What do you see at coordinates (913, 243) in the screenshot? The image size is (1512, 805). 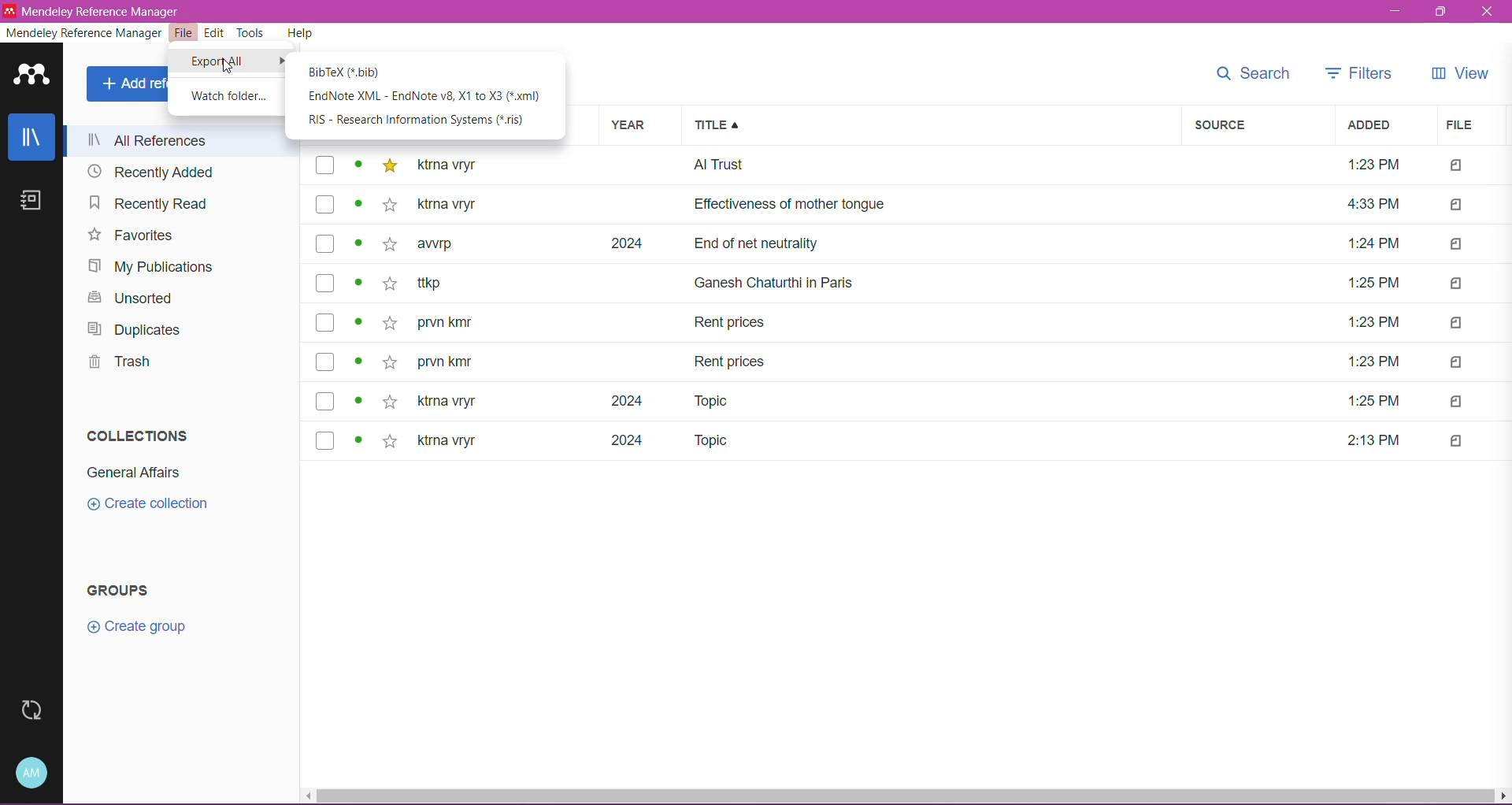 I see `awrp 2024 End of net neutrality 1:24 PM` at bounding box center [913, 243].